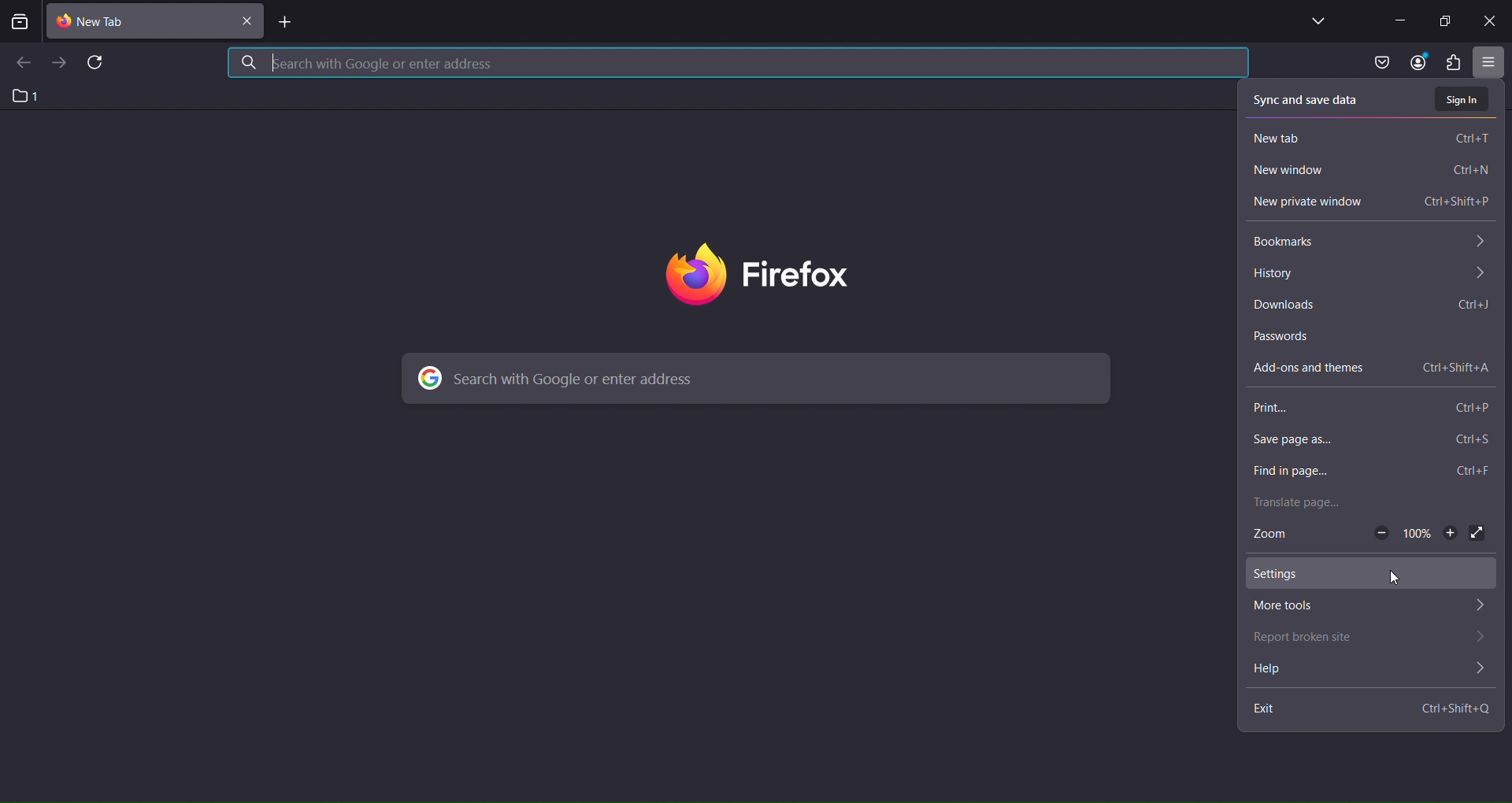 This screenshot has width=1512, height=803. What do you see at coordinates (1492, 63) in the screenshot?
I see `open application menu` at bounding box center [1492, 63].